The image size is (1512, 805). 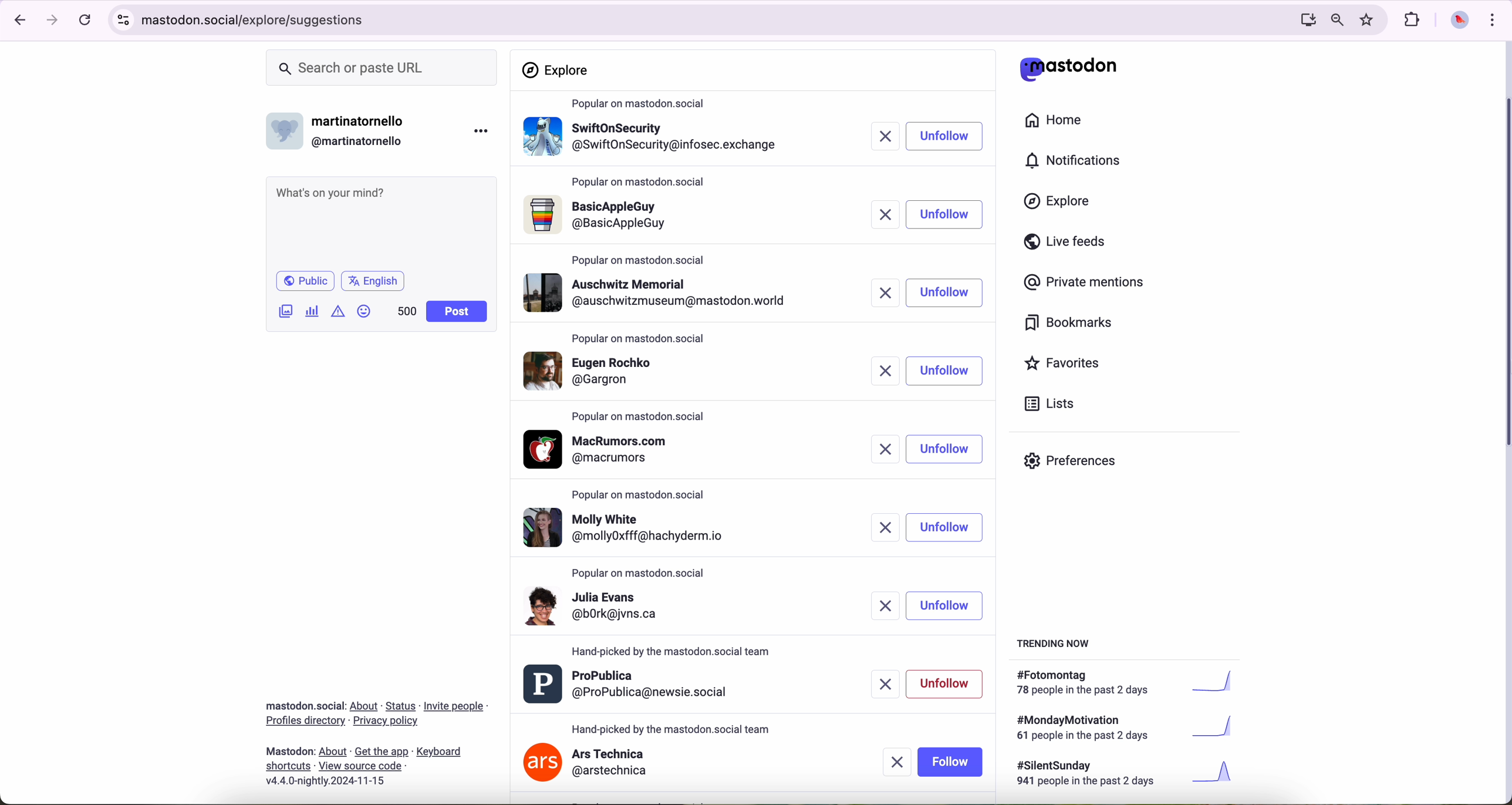 I want to click on follow button, so click(x=950, y=762).